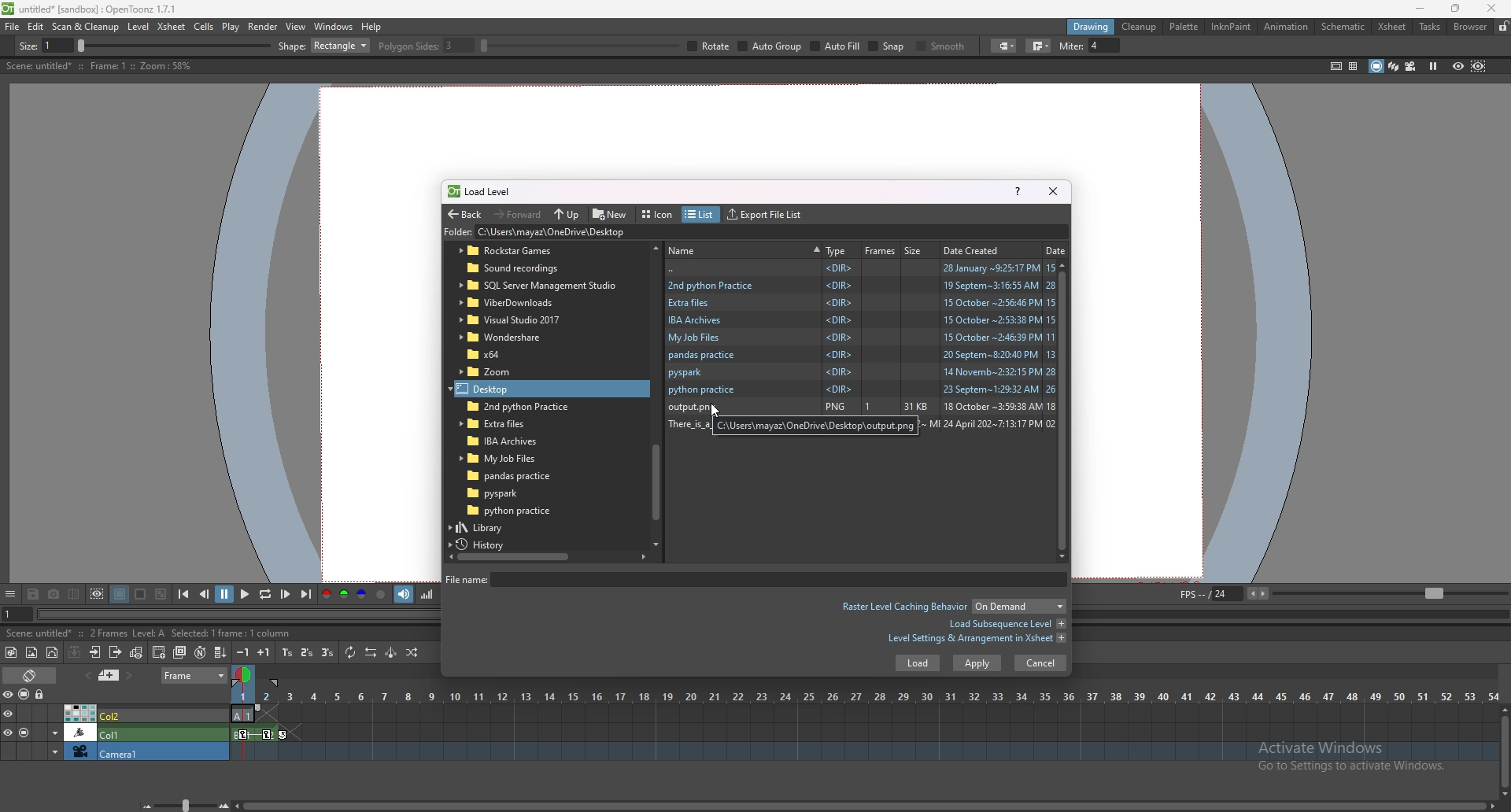 The height and width of the screenshot is (812, 1511). I want to click on join, so click(1315, 46).